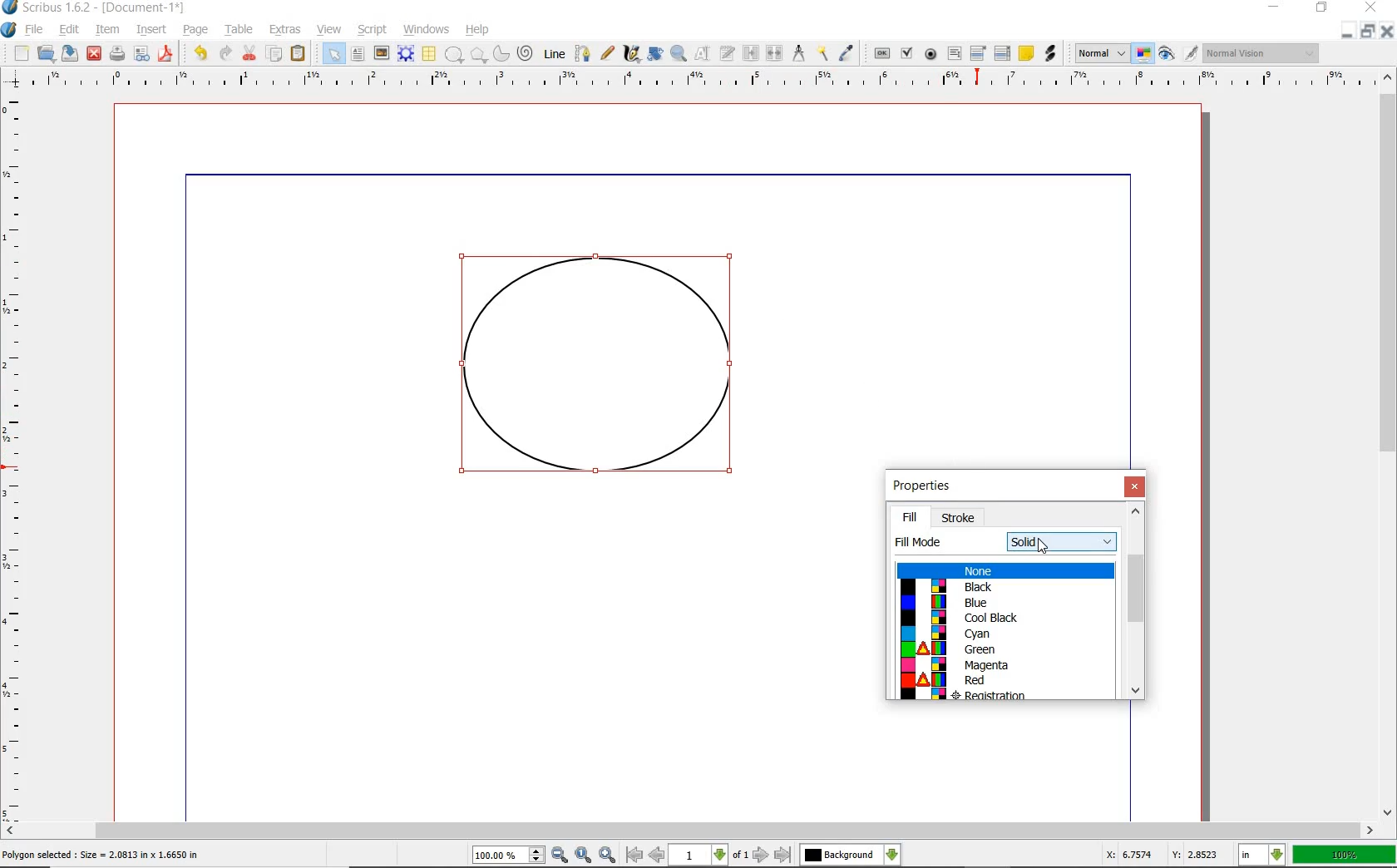 The height and width of the screenshot is (868, 1397). I want to click on visual appearance of the display, so click(1261, 54).